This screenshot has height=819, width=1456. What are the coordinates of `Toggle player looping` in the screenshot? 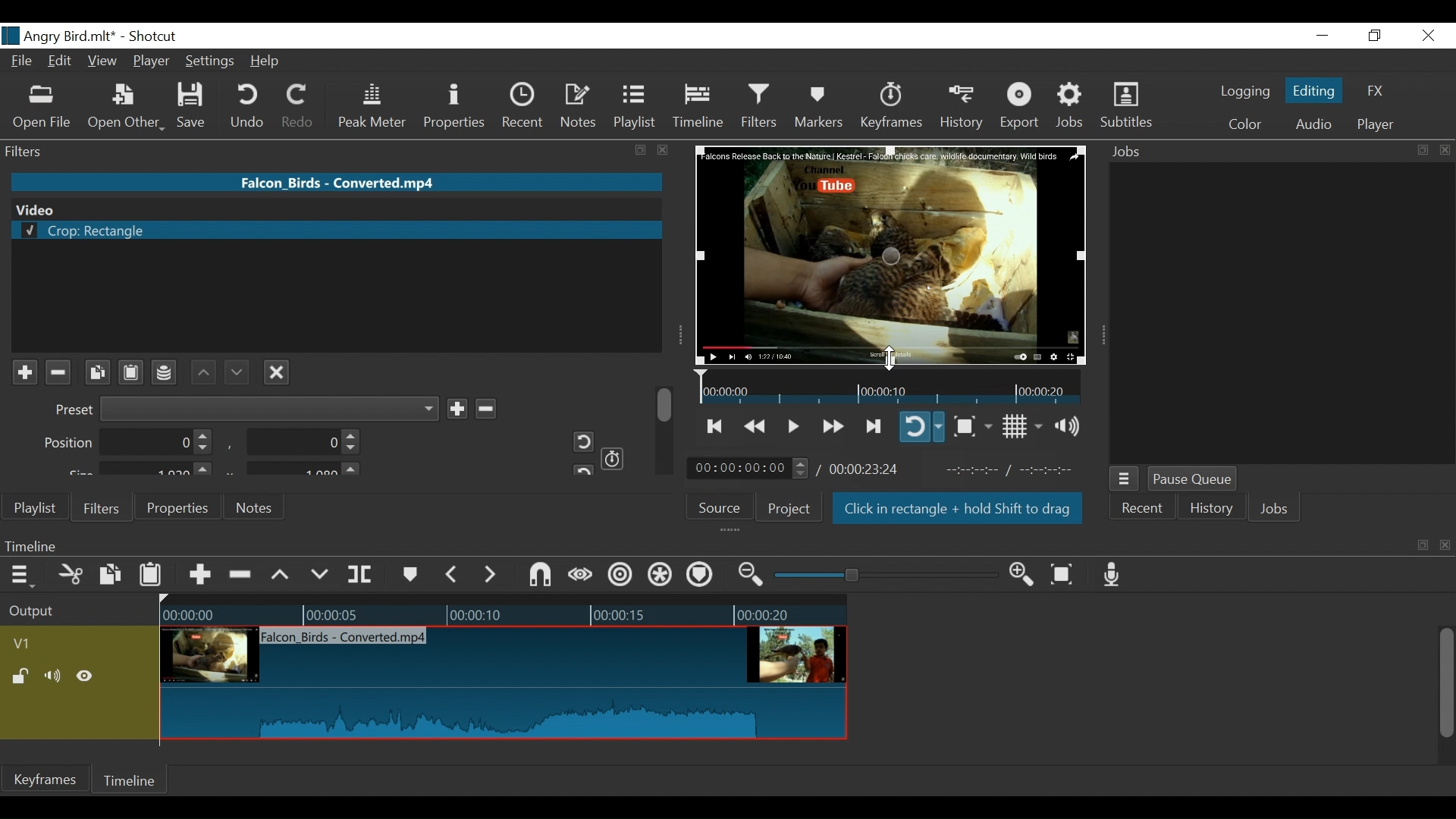 It's located at (921, 426).